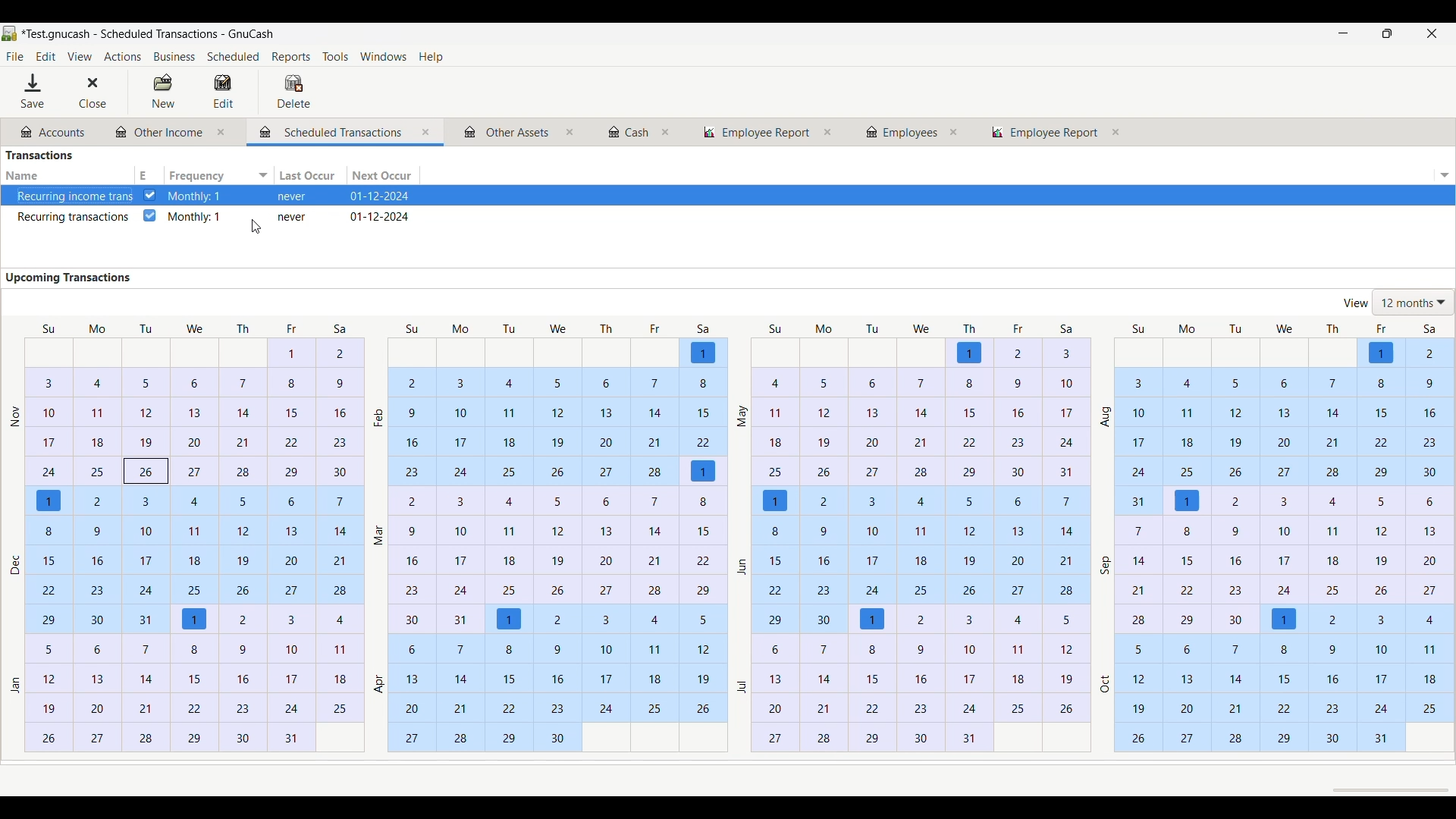 The width and height of the screenshot is (1456, 819). Describe the element at coordinates (79, 57) in the screenshot. I see `View menu` at that location.